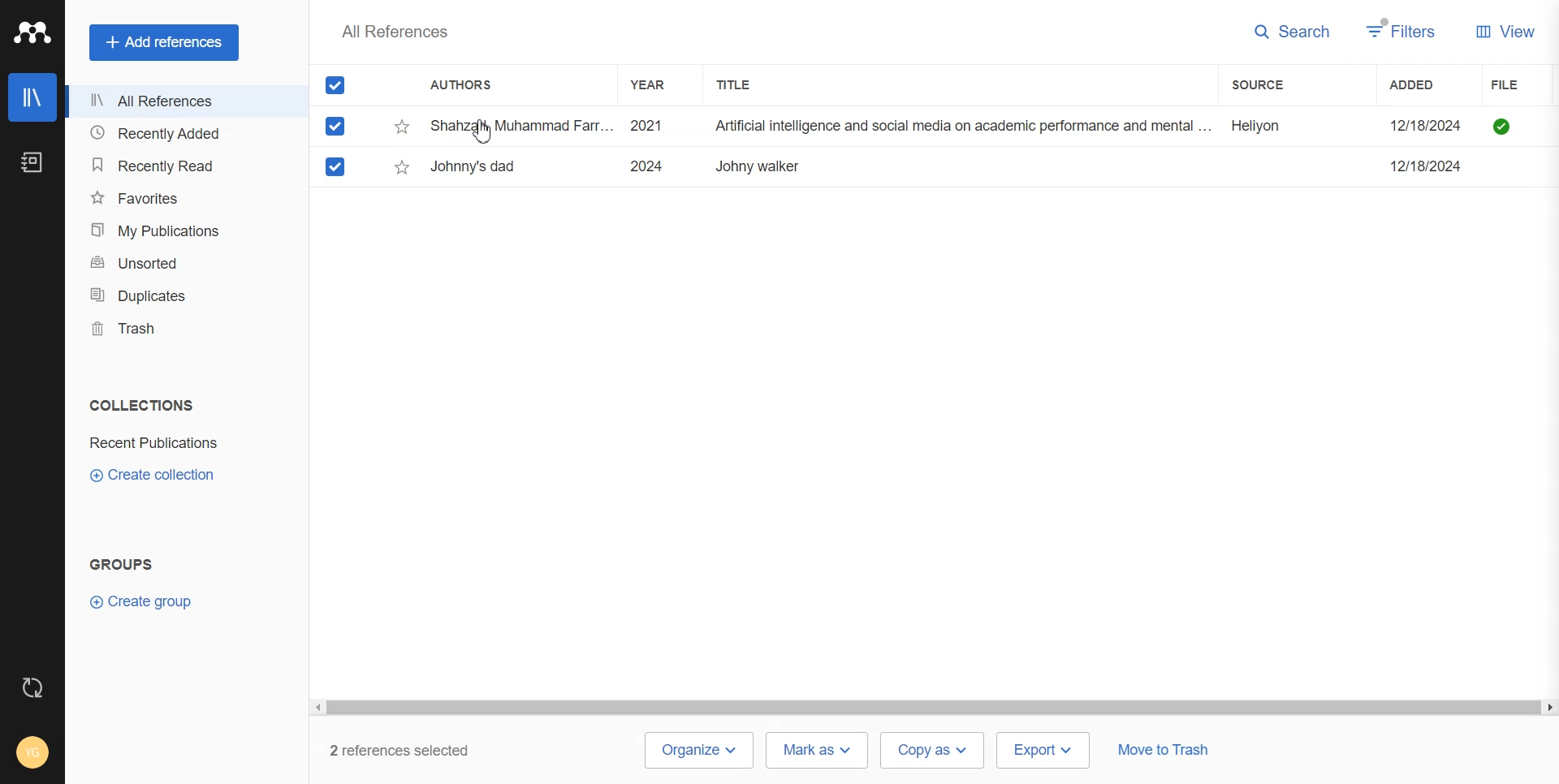 The width and height of the screenshot is (1559, 784). Describe the element at coordinates (335, 84) in the screenshot. I see `All Marks` at that location.